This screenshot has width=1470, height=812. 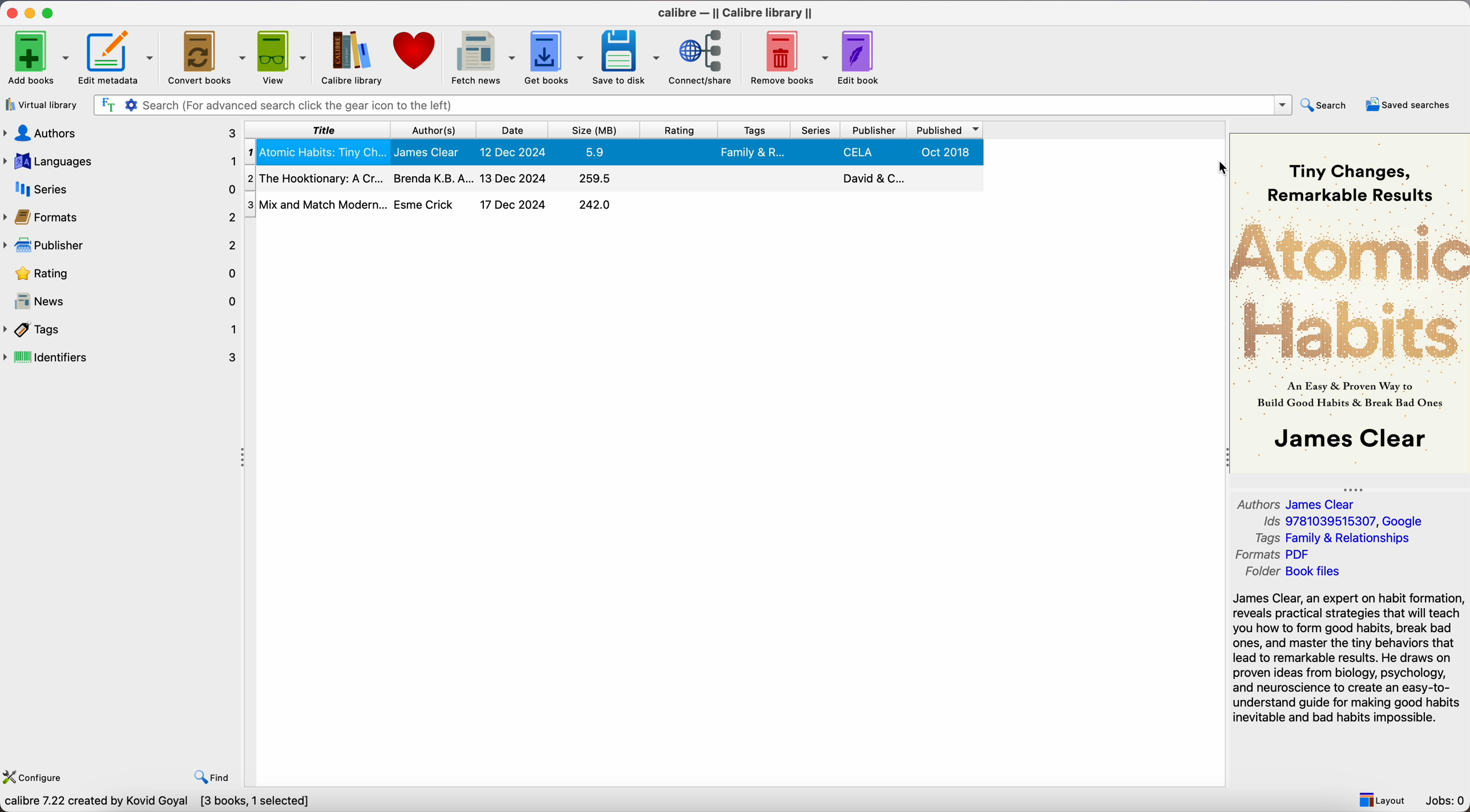 What do you see at coordinates (1312, 571) in the screenshot?
I see `Folder Book files` at bounding box center [1312, 571].